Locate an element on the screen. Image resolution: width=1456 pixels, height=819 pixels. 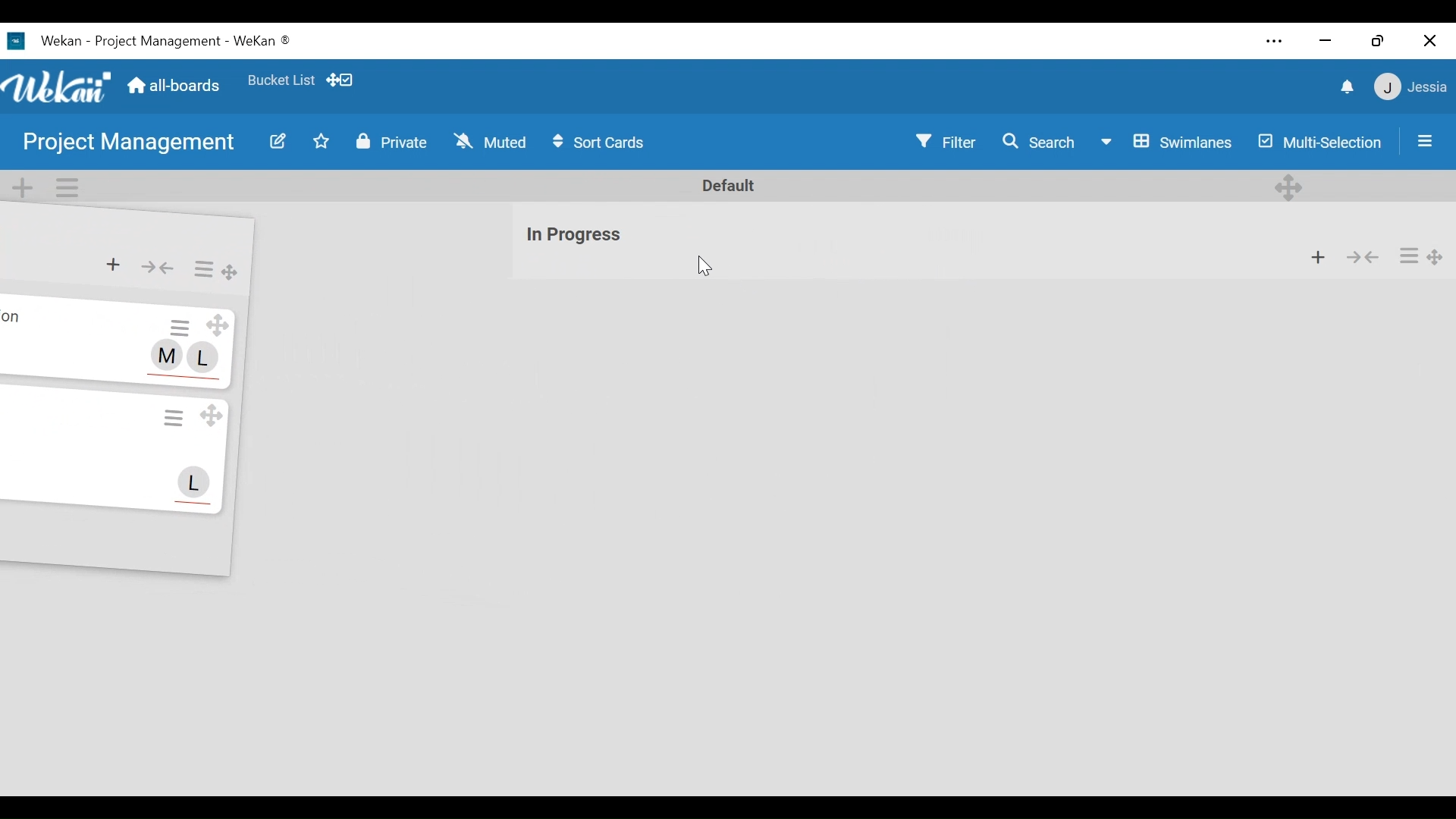
Add Swimlane is located at coordinates (21, 187).